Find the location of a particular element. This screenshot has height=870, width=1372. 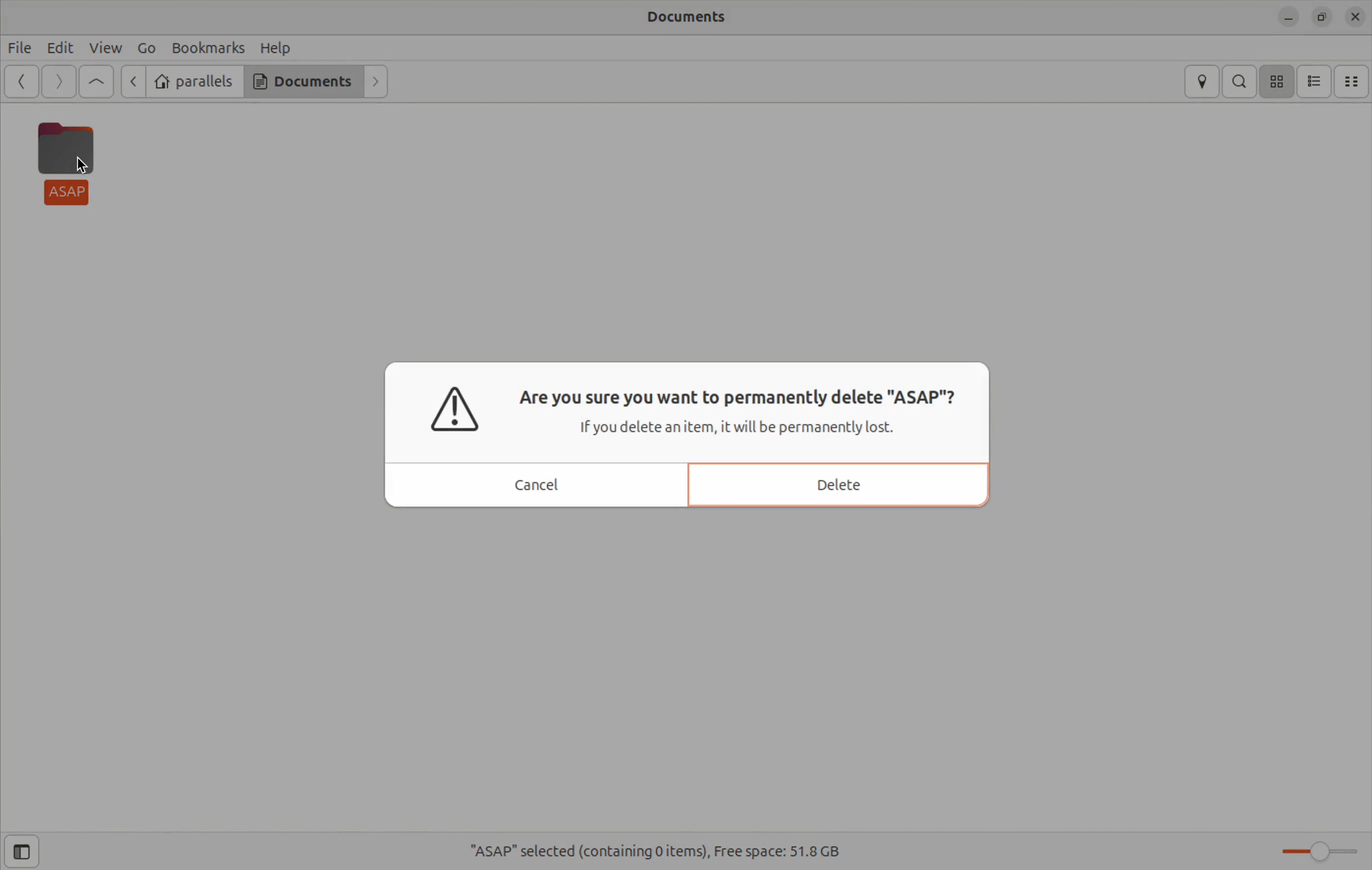

Documents is located at coordinates (690, 19).